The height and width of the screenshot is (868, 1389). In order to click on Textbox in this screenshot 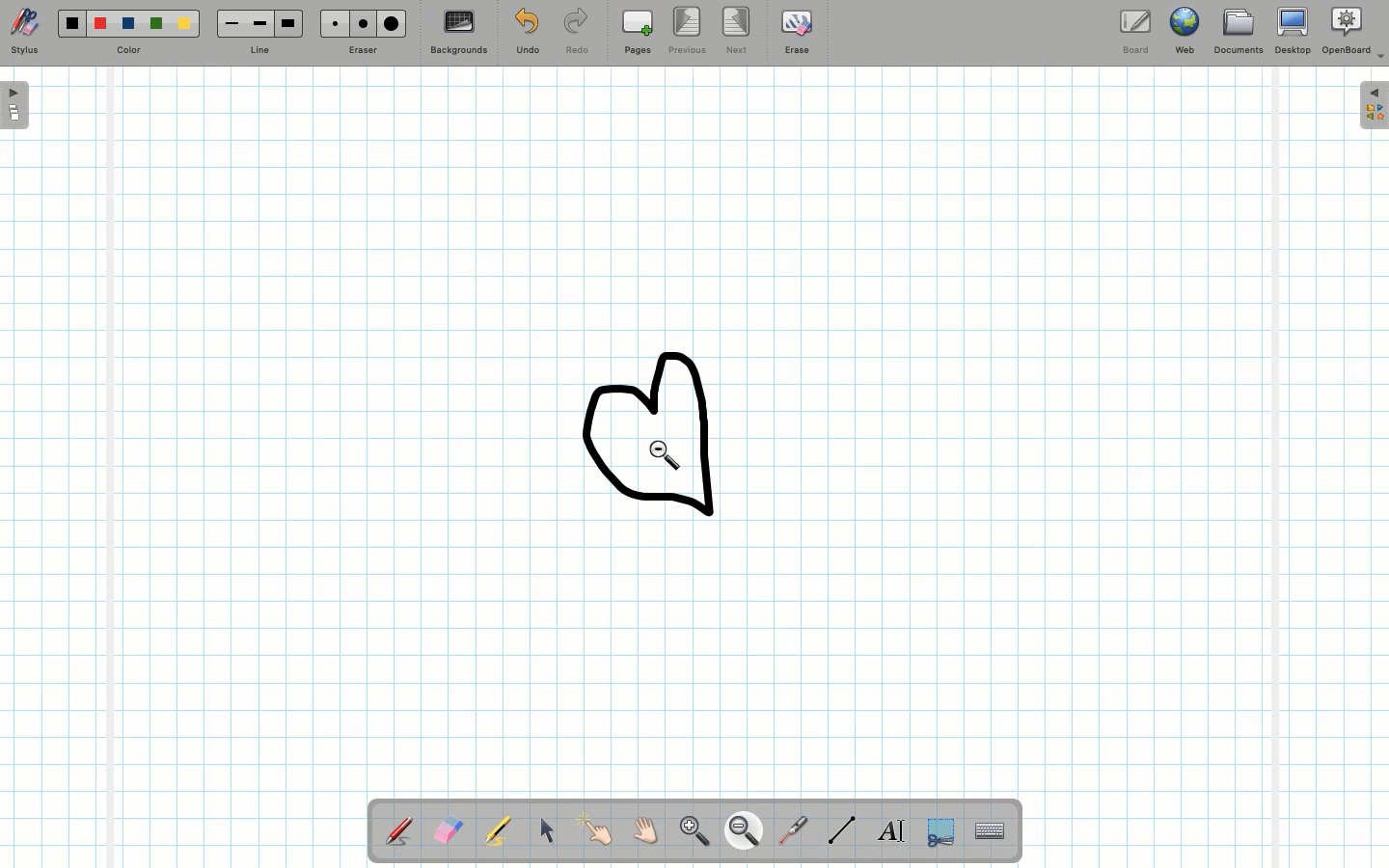, I will do `click(890, 829)`.